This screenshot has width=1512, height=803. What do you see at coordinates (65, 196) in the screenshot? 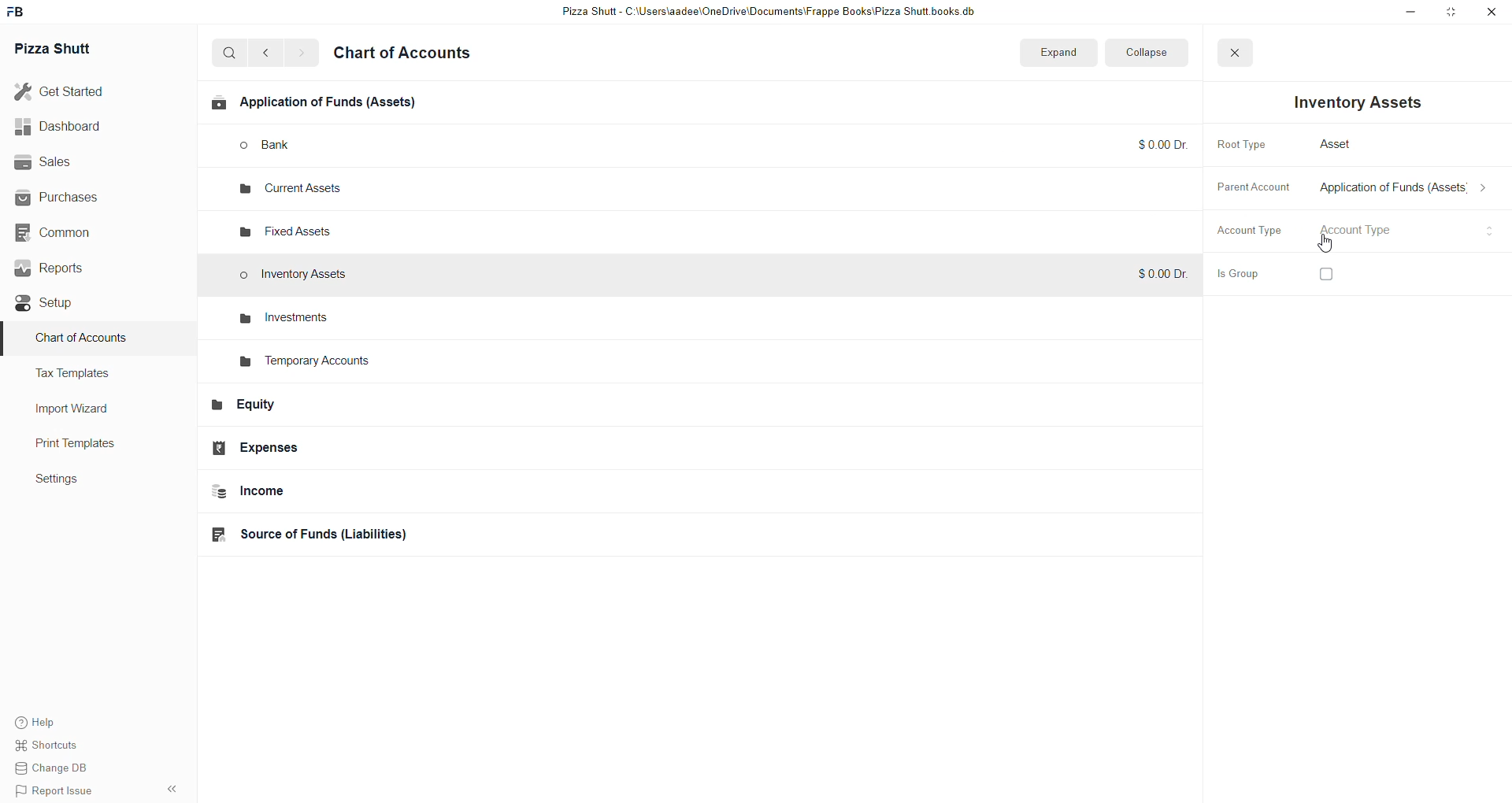
I see `Purchases ` at bounding box center [65, 196].